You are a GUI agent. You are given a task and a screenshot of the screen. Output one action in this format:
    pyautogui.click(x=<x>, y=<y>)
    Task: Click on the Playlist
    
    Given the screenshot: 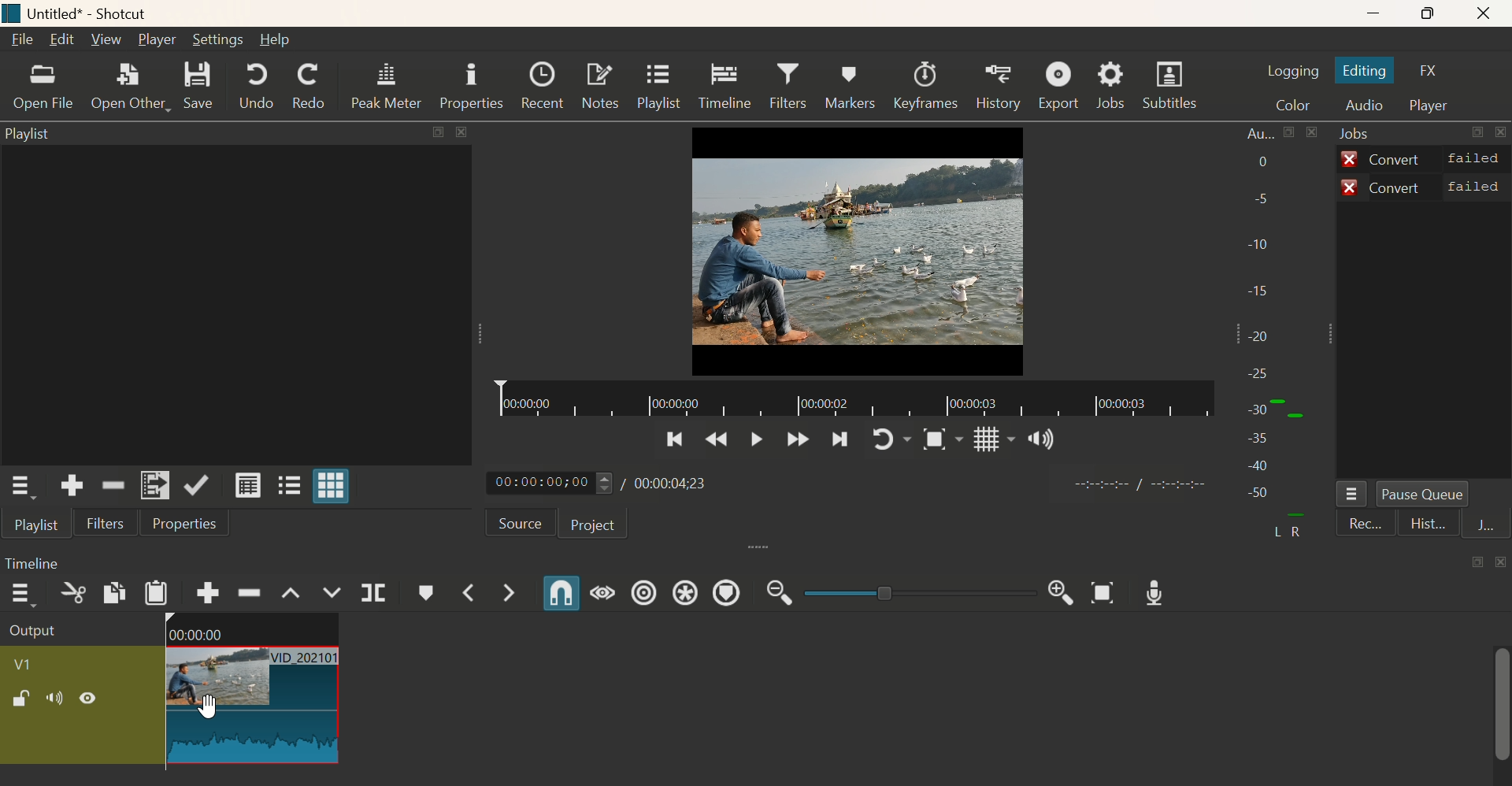 What is the action you would take?
    pyautogui.click(x=33, y=137)
    